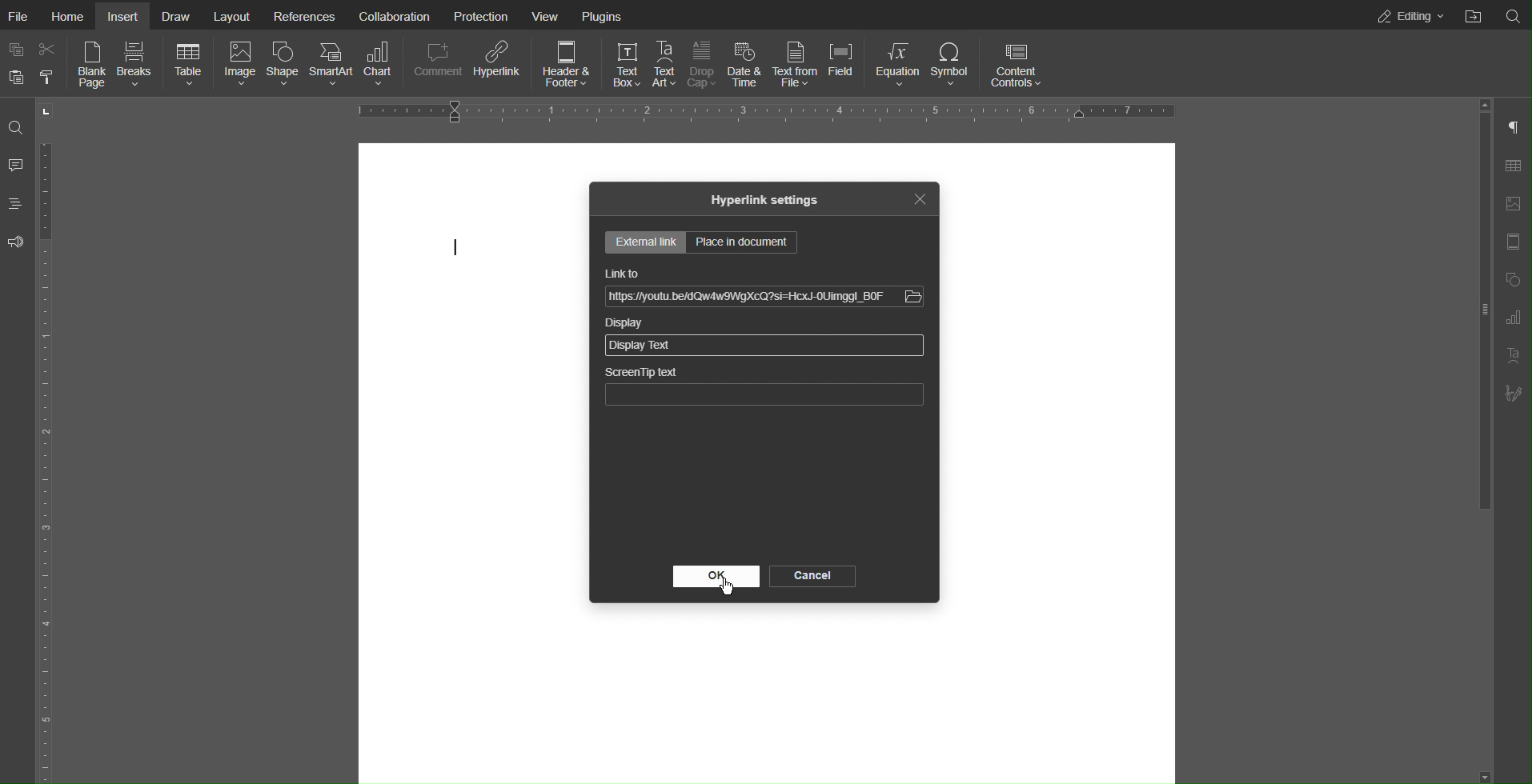 This screenshot has height=784, width=1532. What do you see at coordinates (1474, 15) in the screenshot?
I see `Open File Location` at bounding box center [1474, 15].